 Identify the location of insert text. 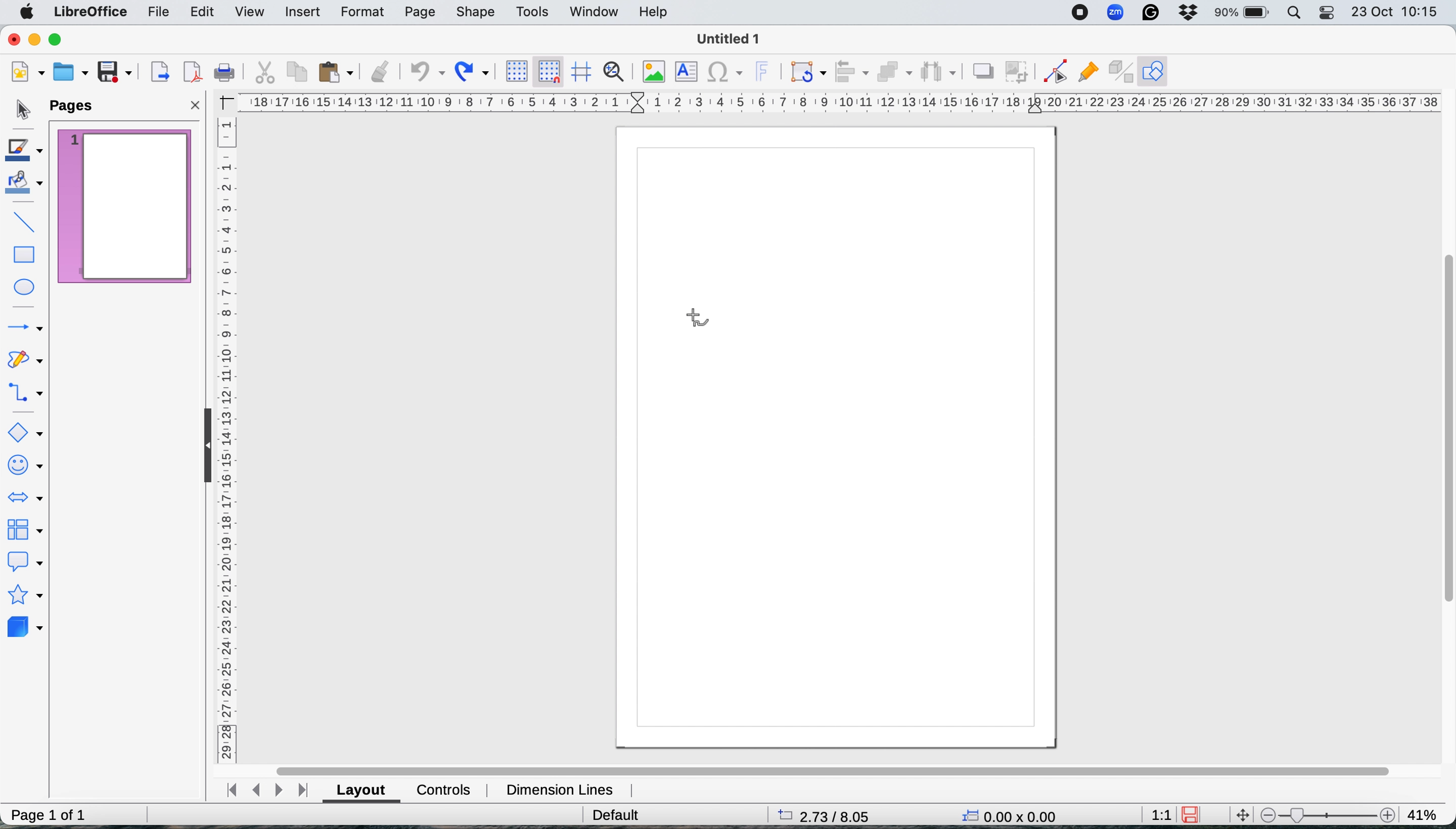
(689, 72).